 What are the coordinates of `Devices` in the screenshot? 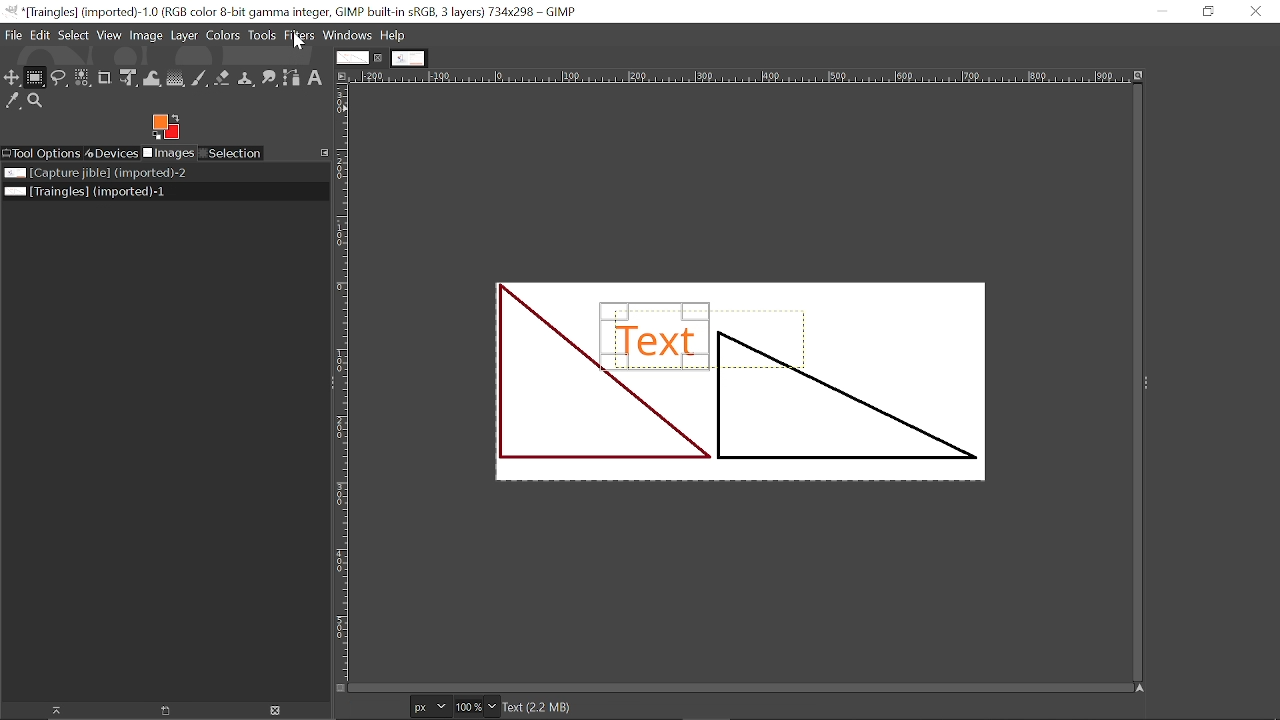 It's located at (111, 152).